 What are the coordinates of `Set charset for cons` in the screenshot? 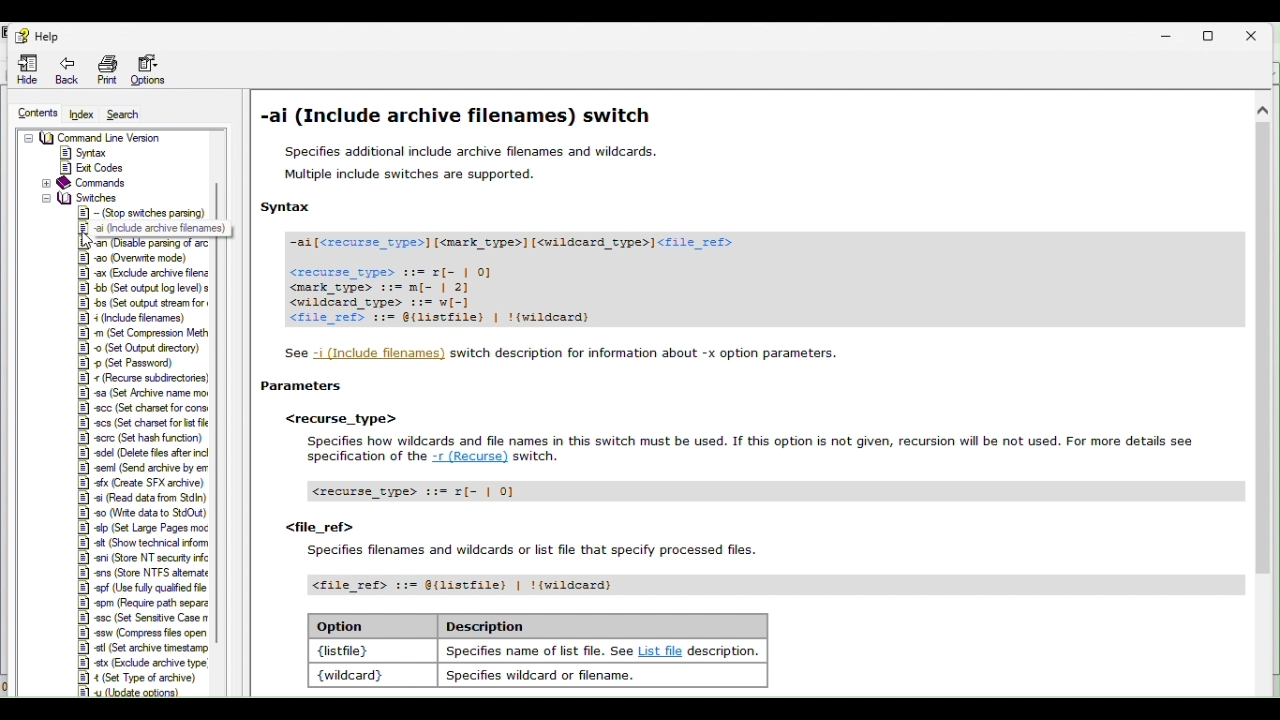 It's located at (143, 406).